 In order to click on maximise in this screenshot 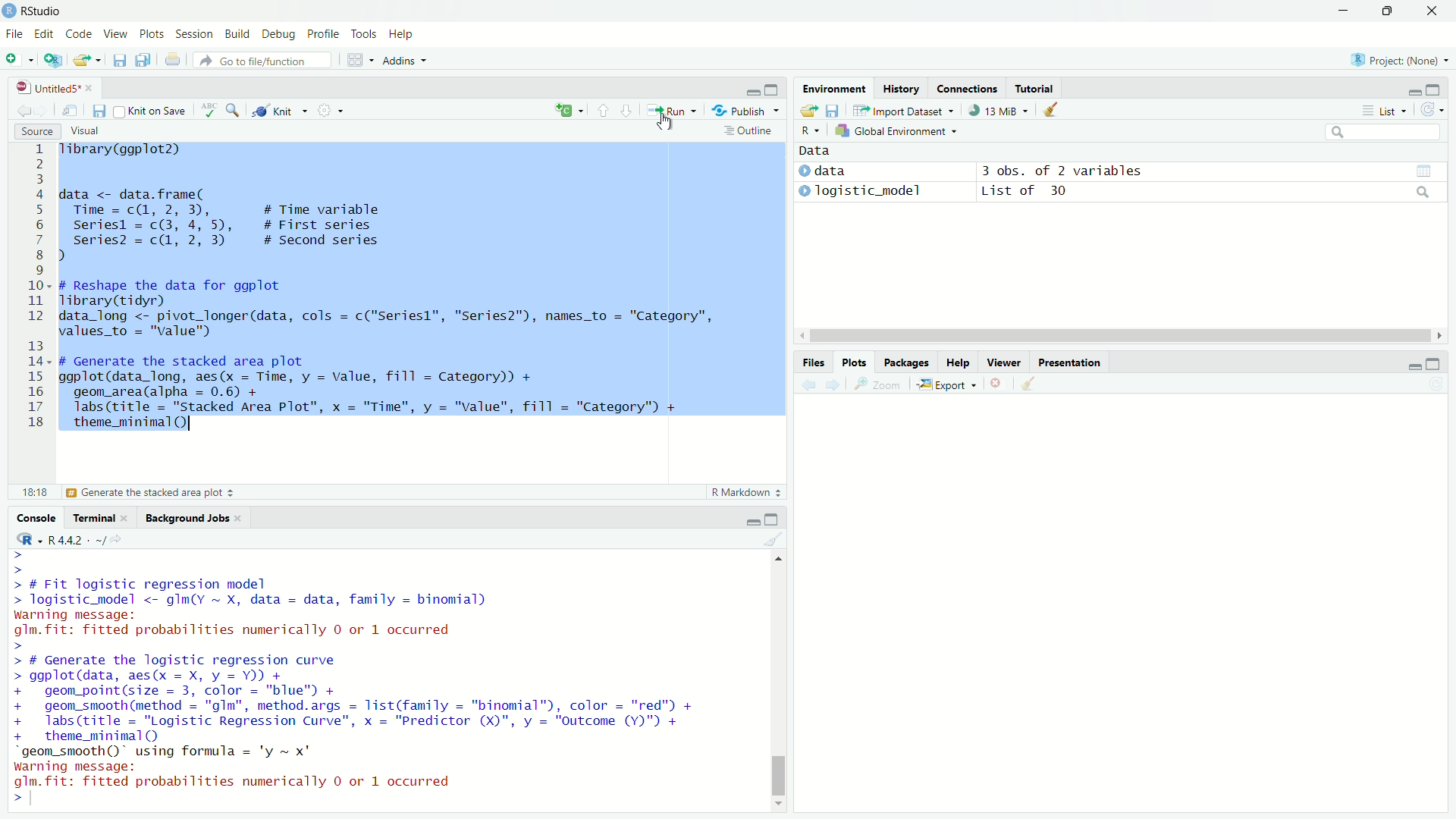, I will do `click(776, 519)`.